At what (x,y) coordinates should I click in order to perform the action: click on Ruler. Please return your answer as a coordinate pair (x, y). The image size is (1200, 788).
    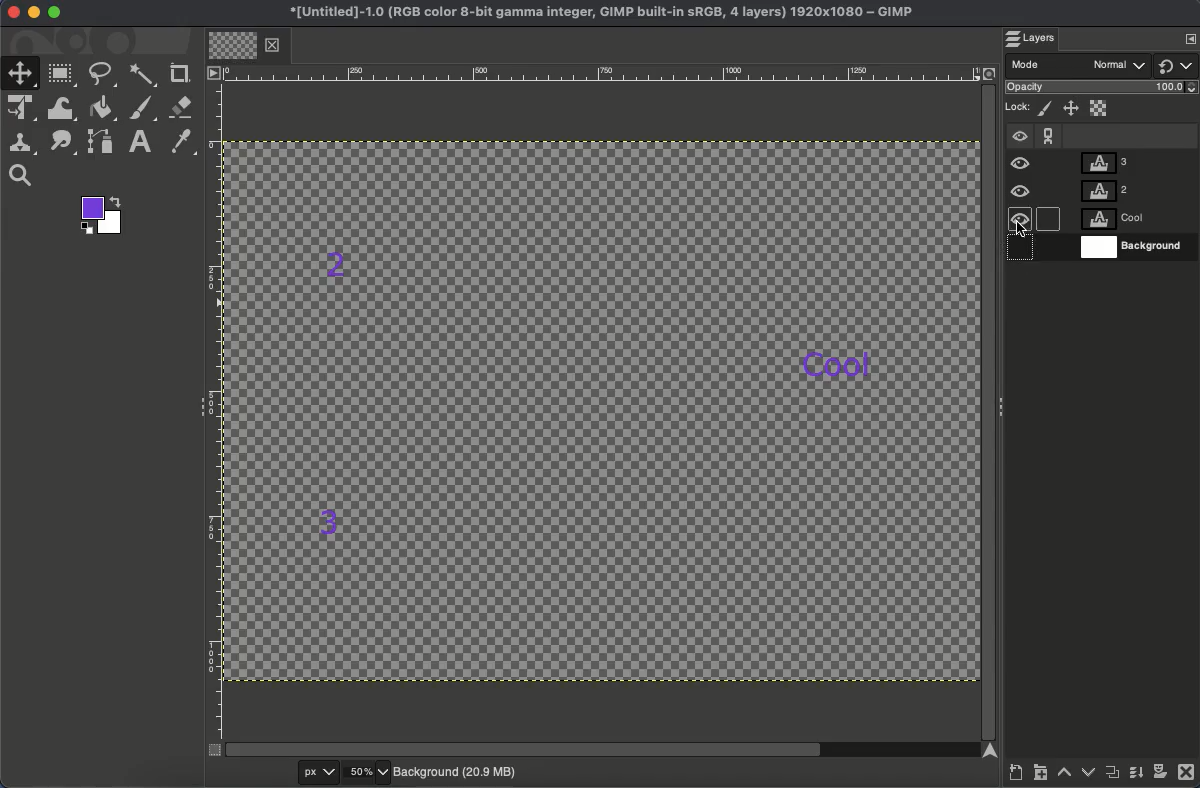
    Looking at the image, I should click on (214, 412).